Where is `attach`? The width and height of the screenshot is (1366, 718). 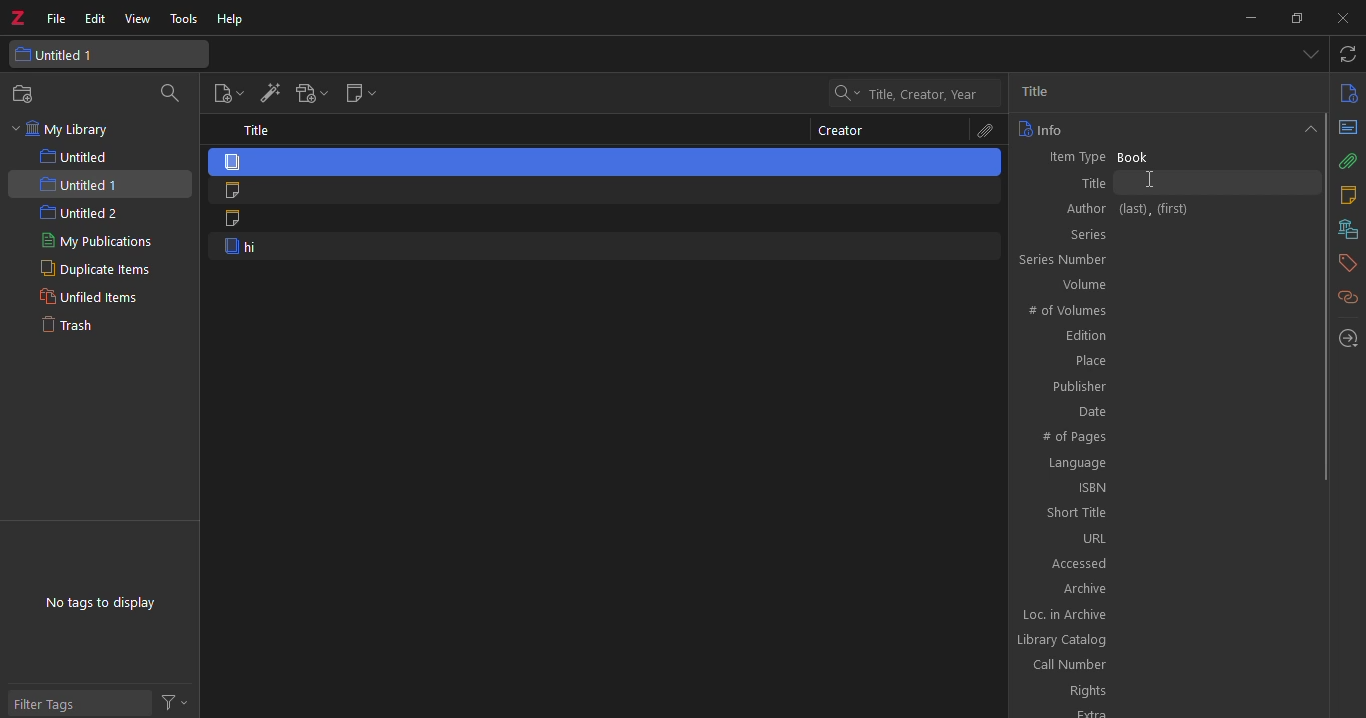 attach is located at coordinates (1349, 161).